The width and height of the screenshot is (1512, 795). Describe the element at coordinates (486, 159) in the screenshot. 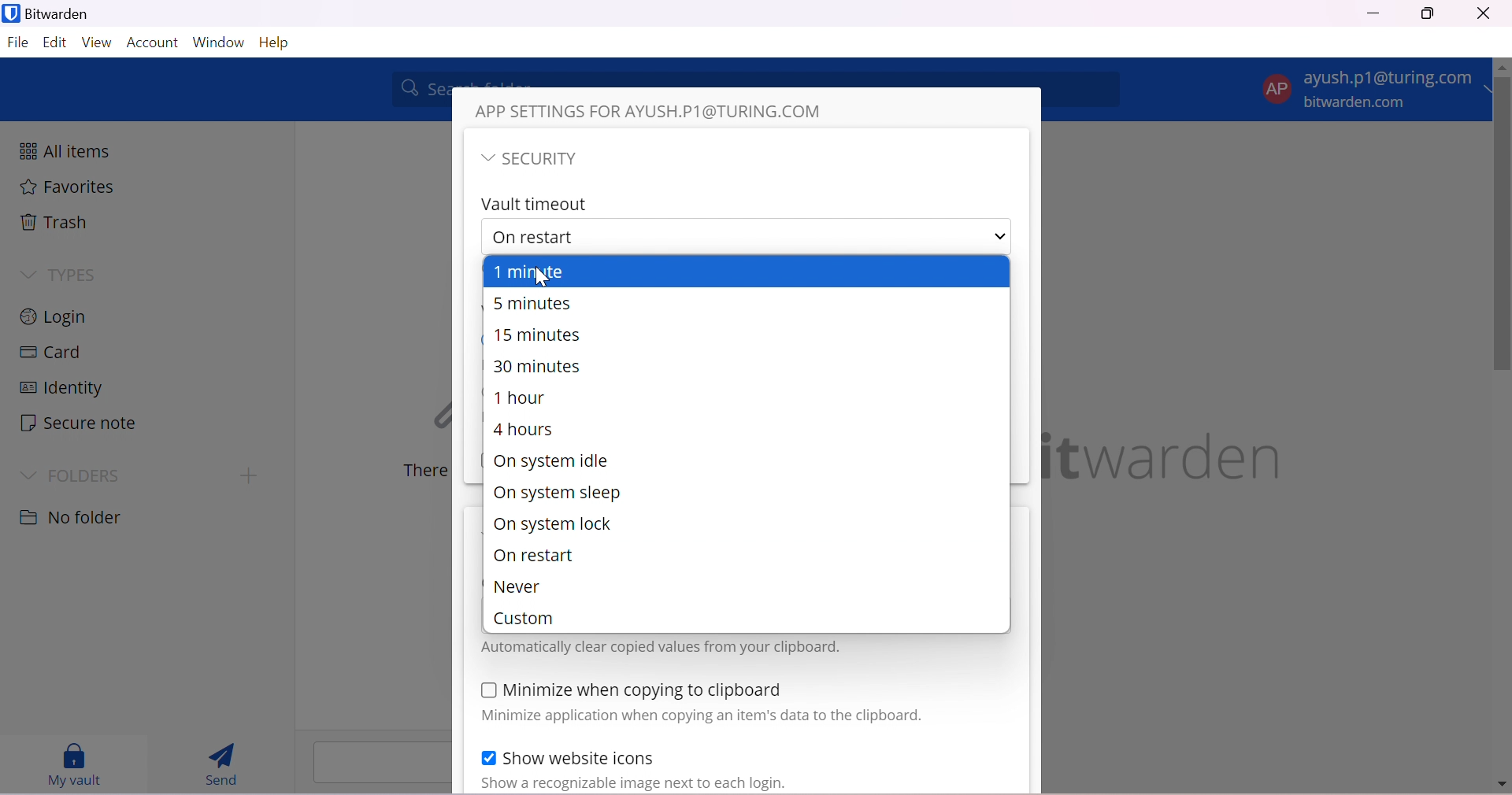

I see `Drop Down` at that location.